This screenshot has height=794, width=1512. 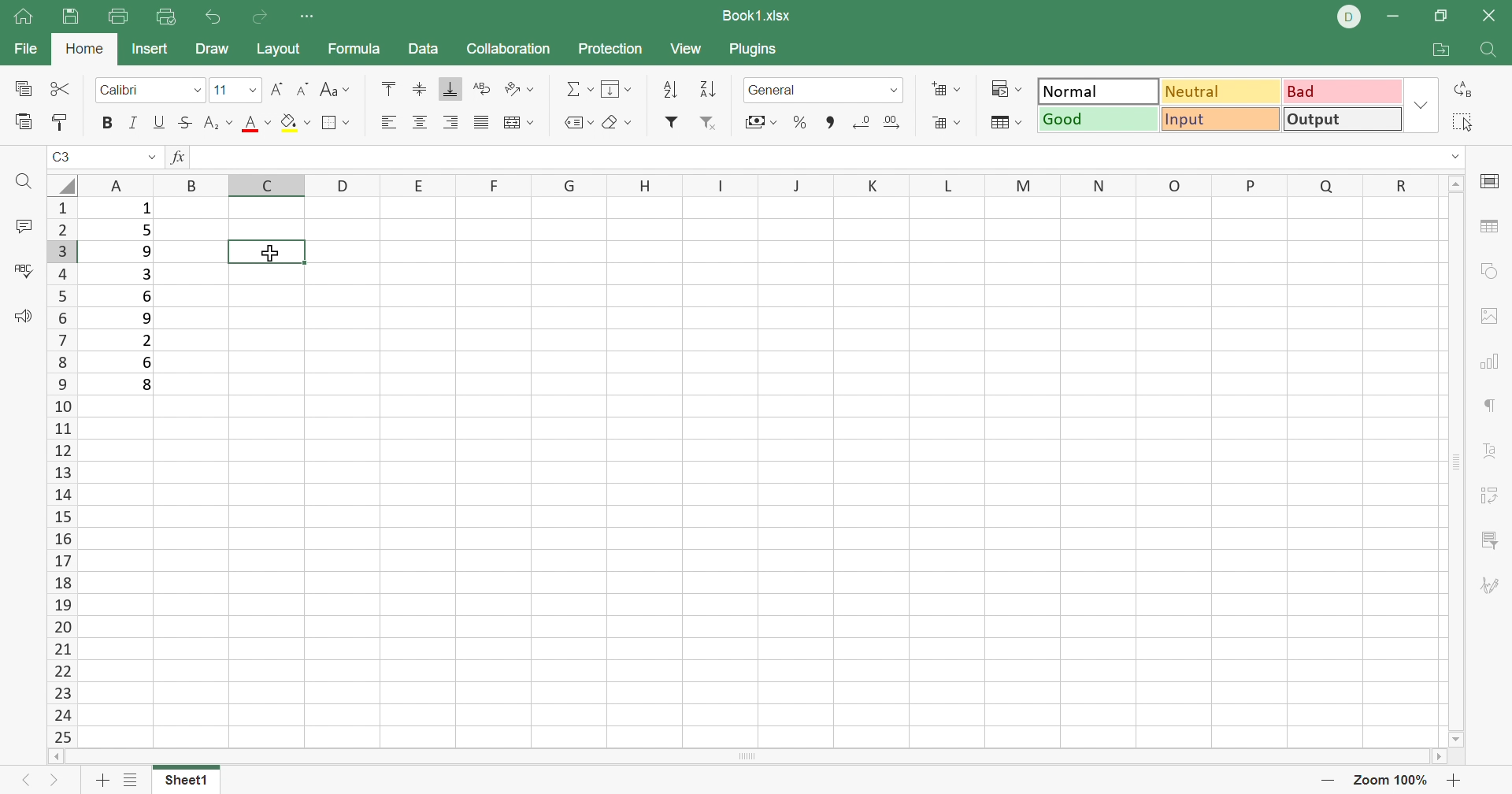 I want to click on Chart settings, so click(x=1489, y=363).